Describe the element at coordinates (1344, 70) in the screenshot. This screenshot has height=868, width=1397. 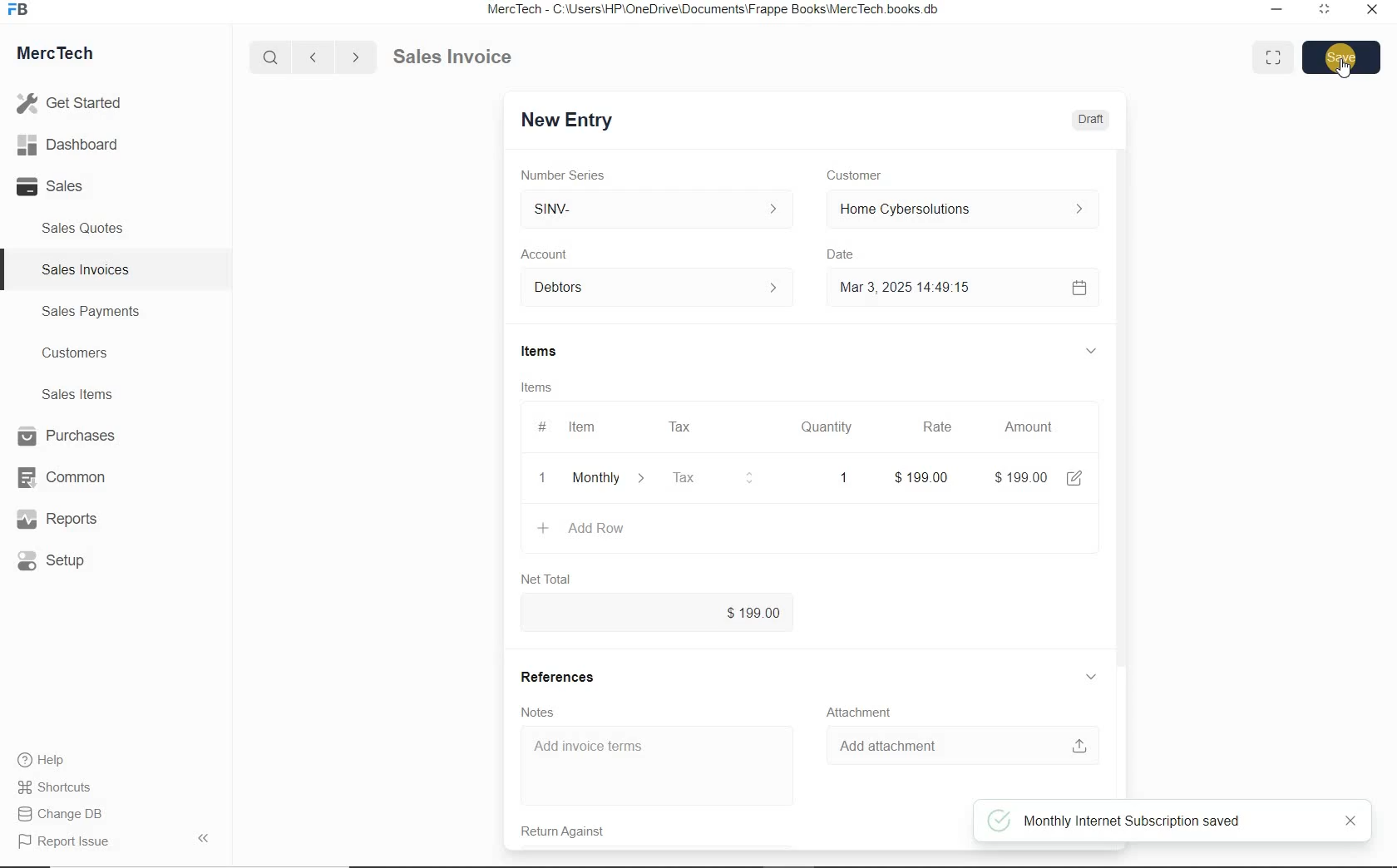
I see `cursor` at that location.